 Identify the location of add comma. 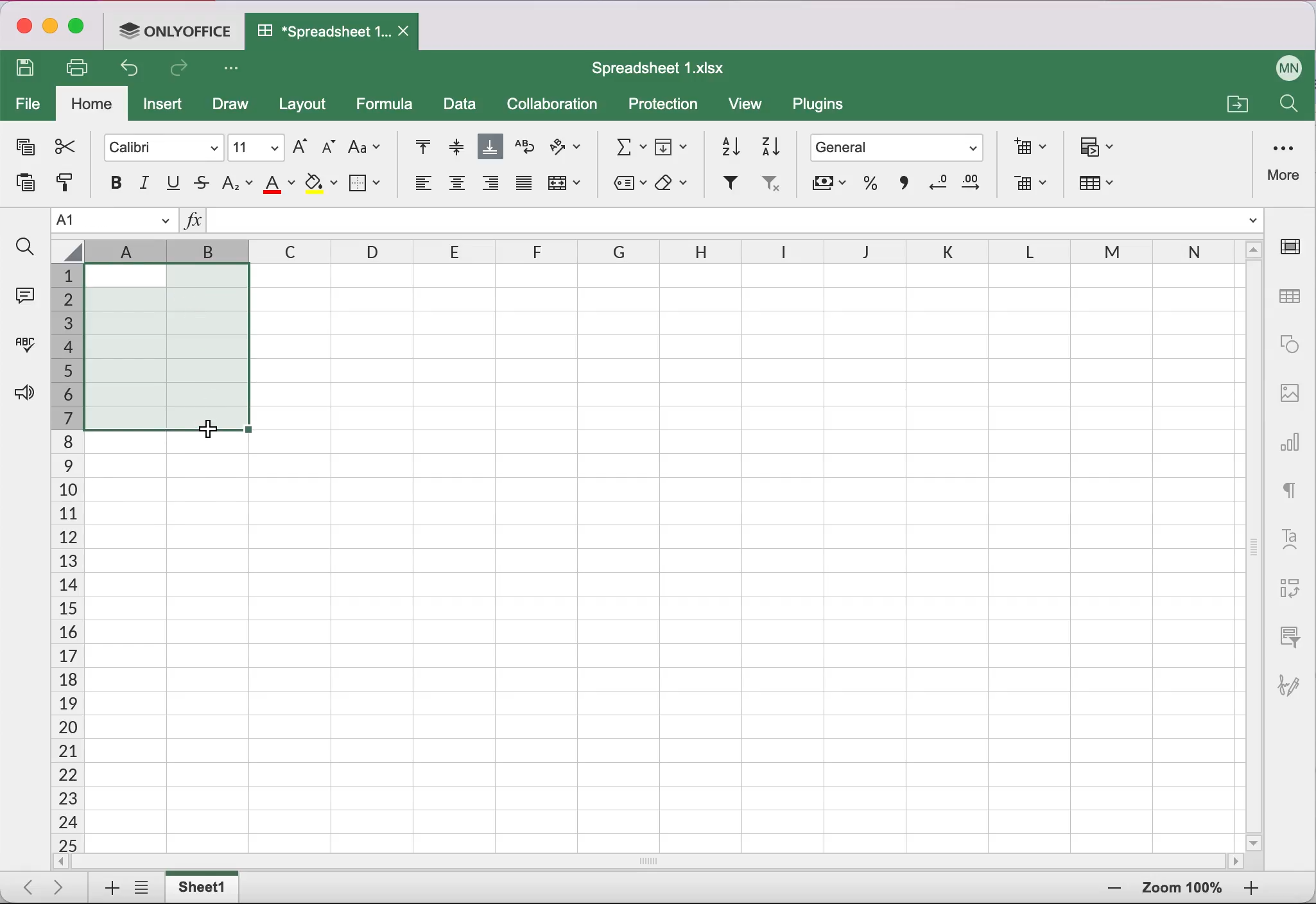
(901, 187).